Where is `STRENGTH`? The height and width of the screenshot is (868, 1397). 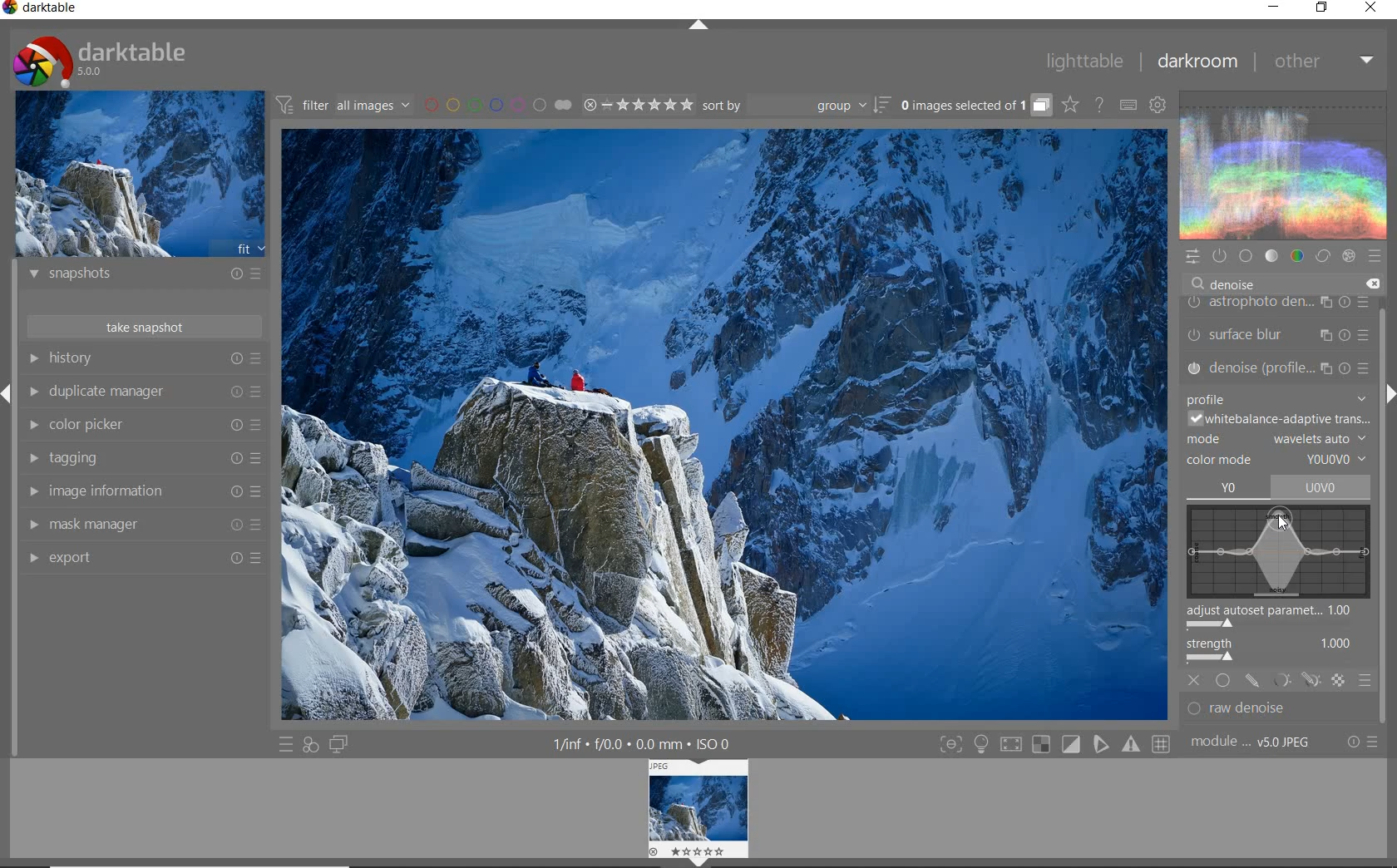
STRENGTH is located at coordinates (1281, 652).